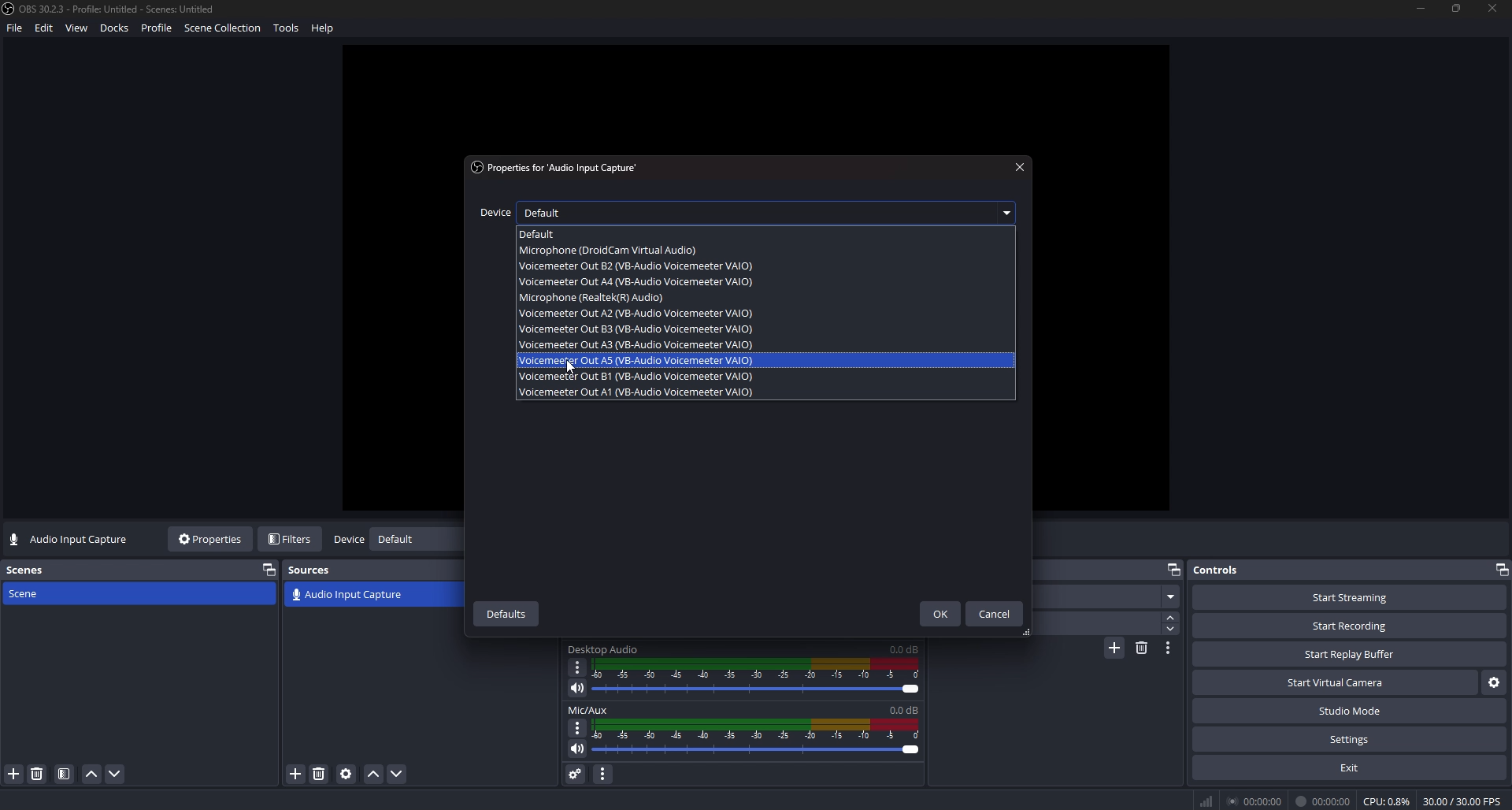  Describe the element at coordinates (760, 738) in the screenshot. I see `audio mixer` at that location.